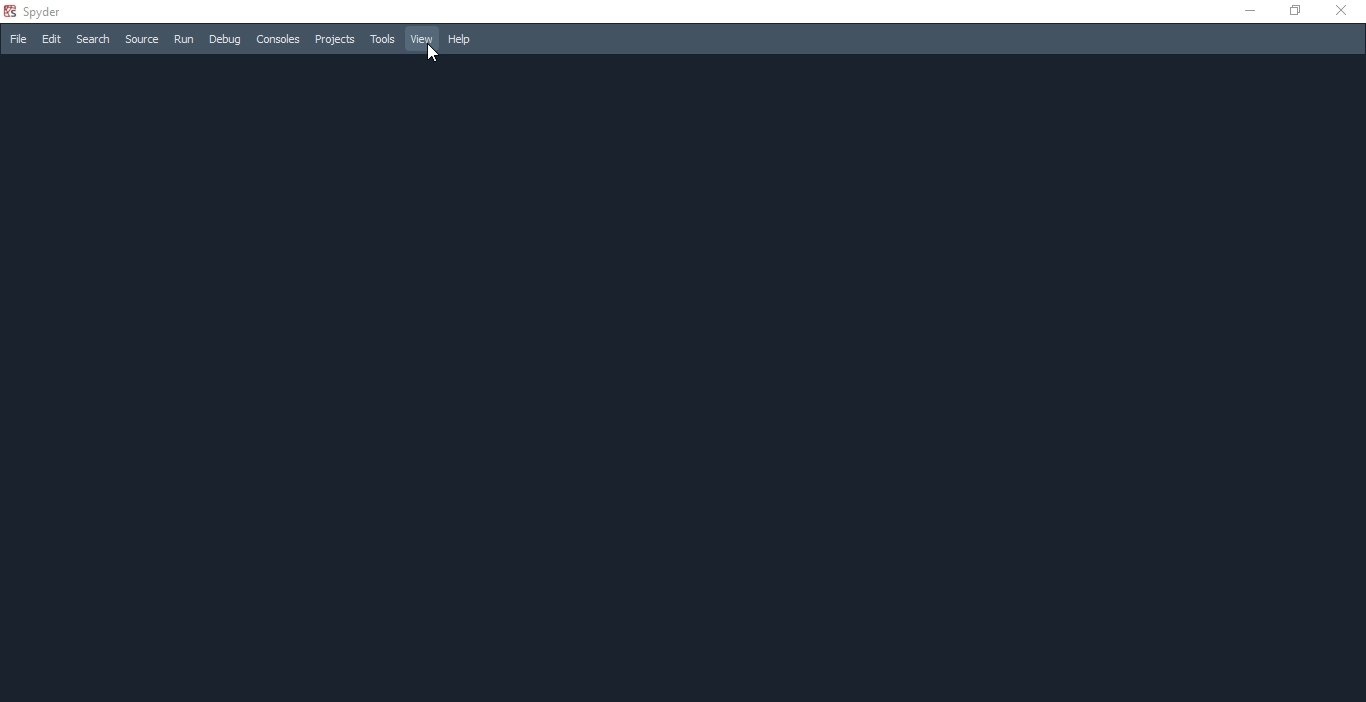 The height and width of the screenshot is (702, 1366). I want to click on Tools, so click(382, 40).